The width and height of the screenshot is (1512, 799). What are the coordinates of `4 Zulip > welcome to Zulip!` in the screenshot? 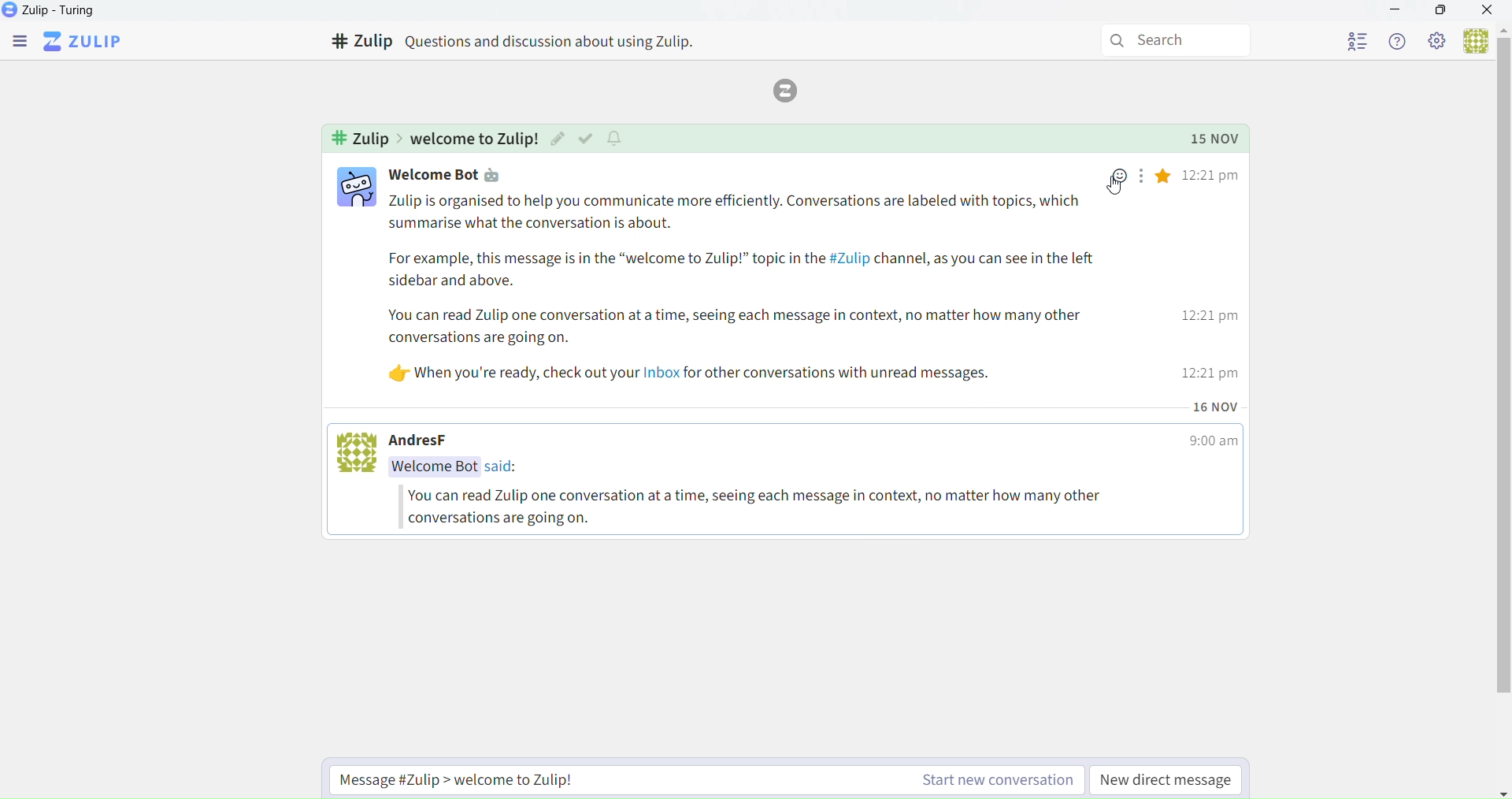 It's located at (431, 138).